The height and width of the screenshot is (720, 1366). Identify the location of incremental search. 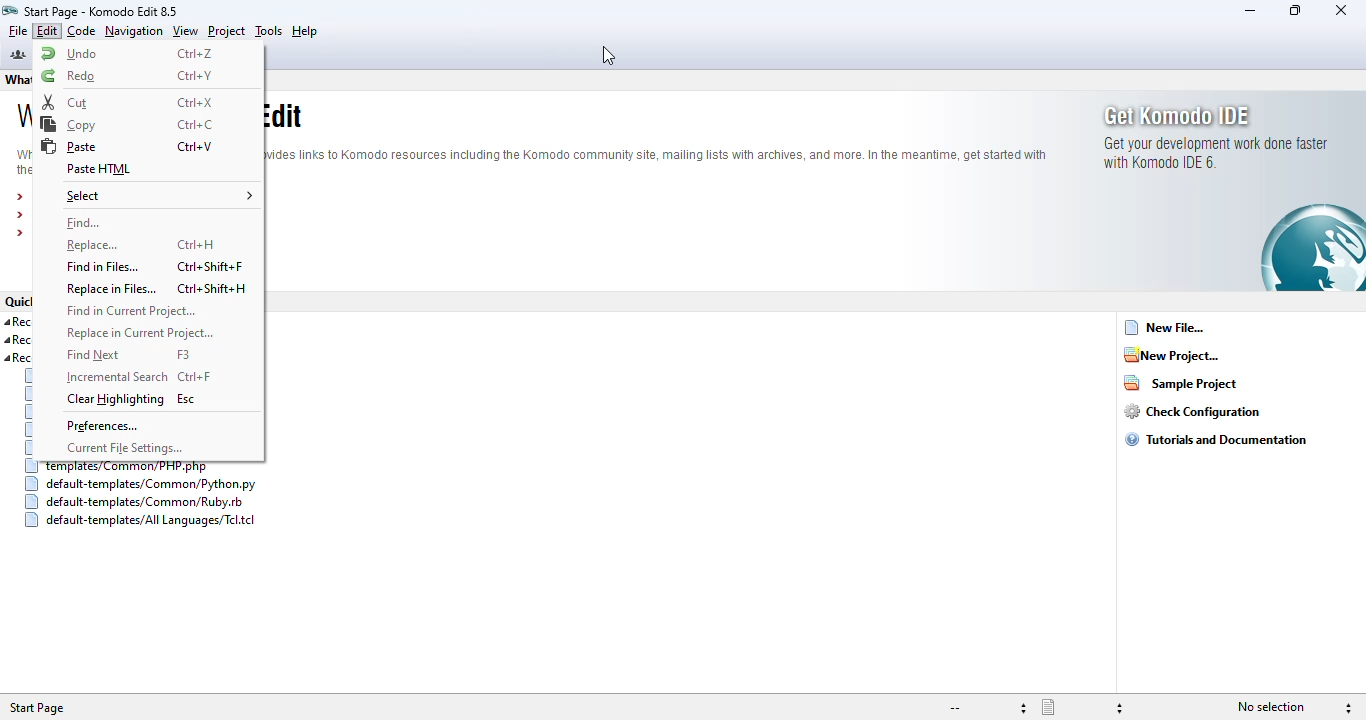
(118, 376).